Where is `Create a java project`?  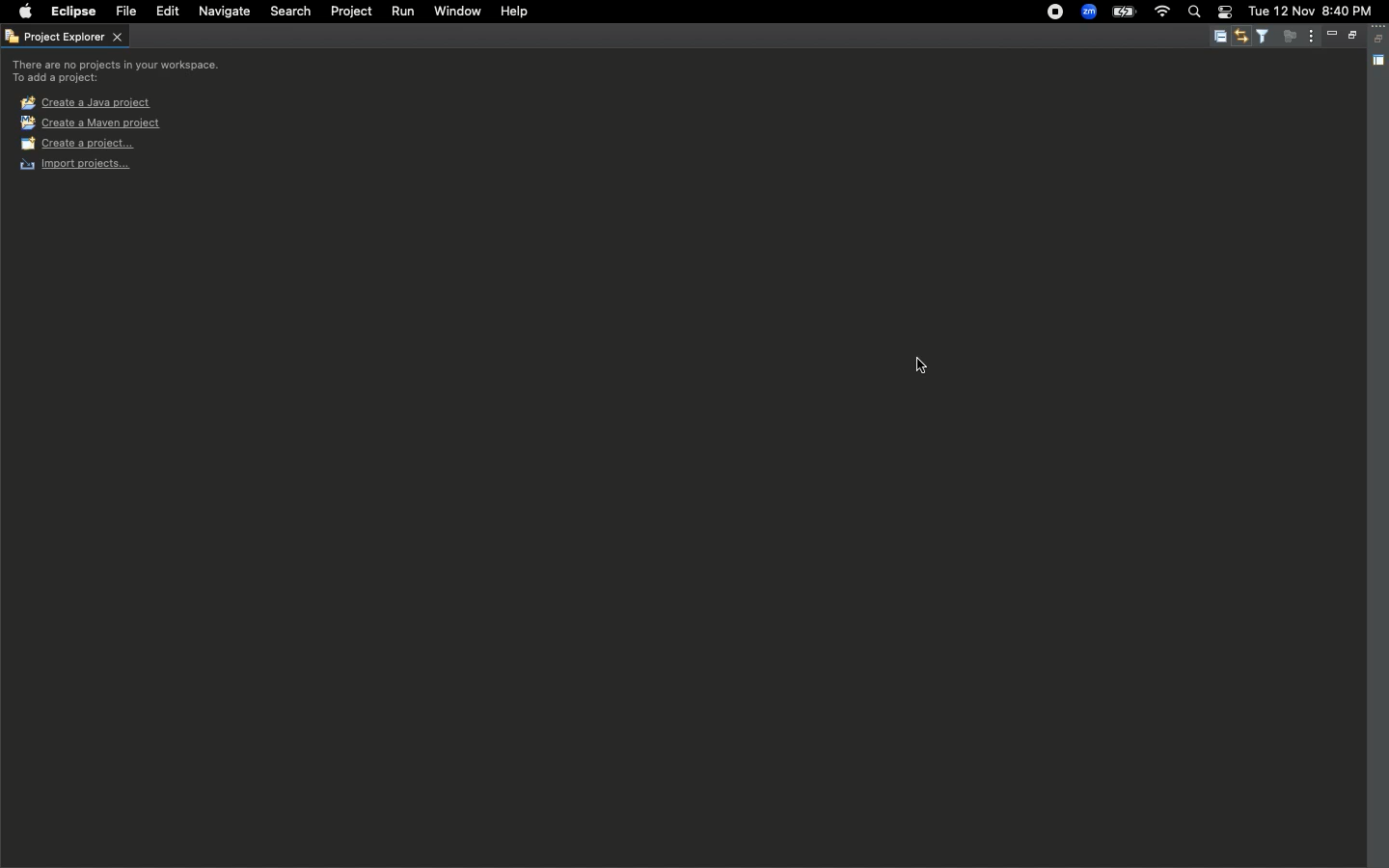 Create a java project is located at coordinates (89, 104).